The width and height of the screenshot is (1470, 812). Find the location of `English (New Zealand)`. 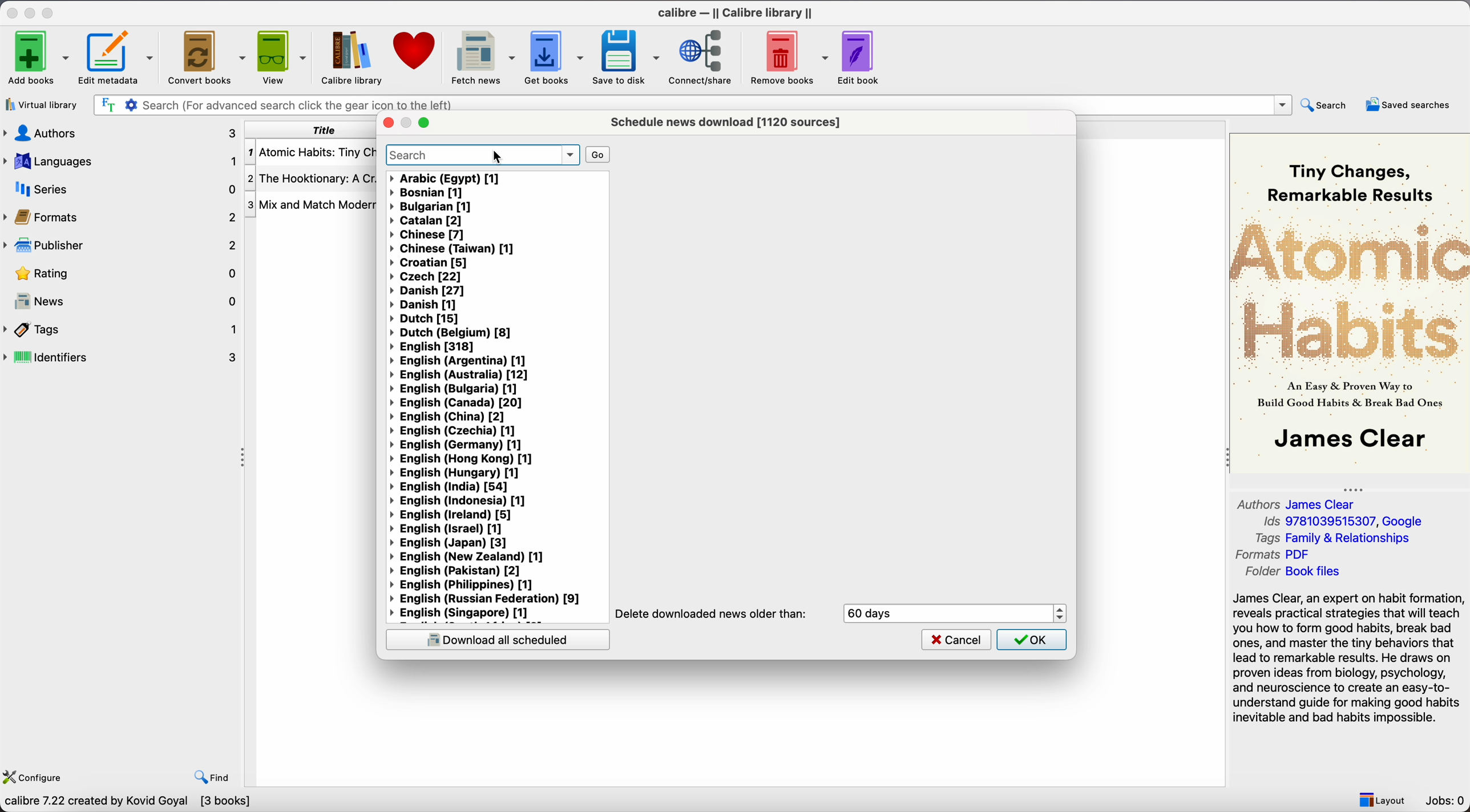

English (New Zealand) is located at coordinates (473, 558).